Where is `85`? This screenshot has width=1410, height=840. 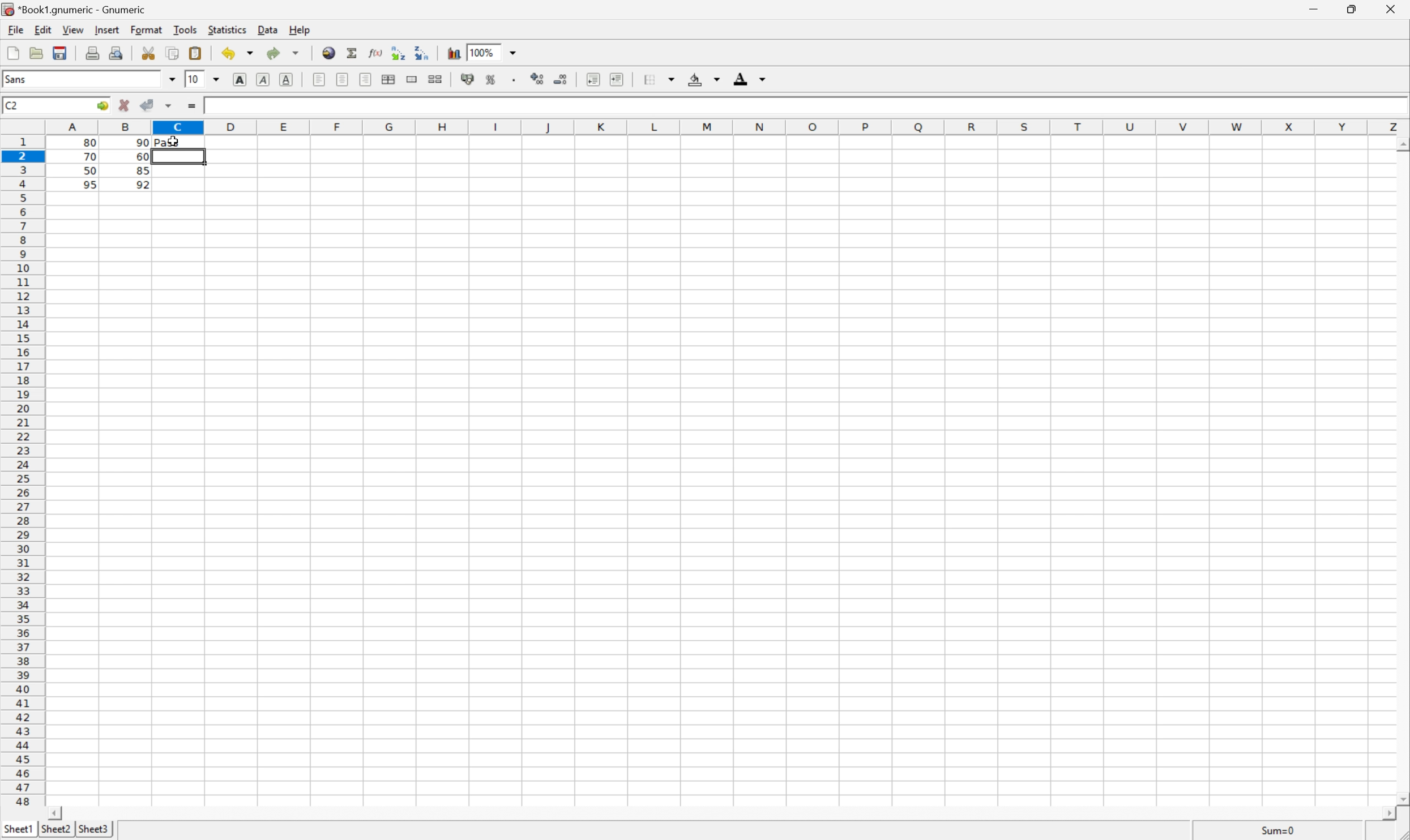 85 is located at coordinates (142, 172).